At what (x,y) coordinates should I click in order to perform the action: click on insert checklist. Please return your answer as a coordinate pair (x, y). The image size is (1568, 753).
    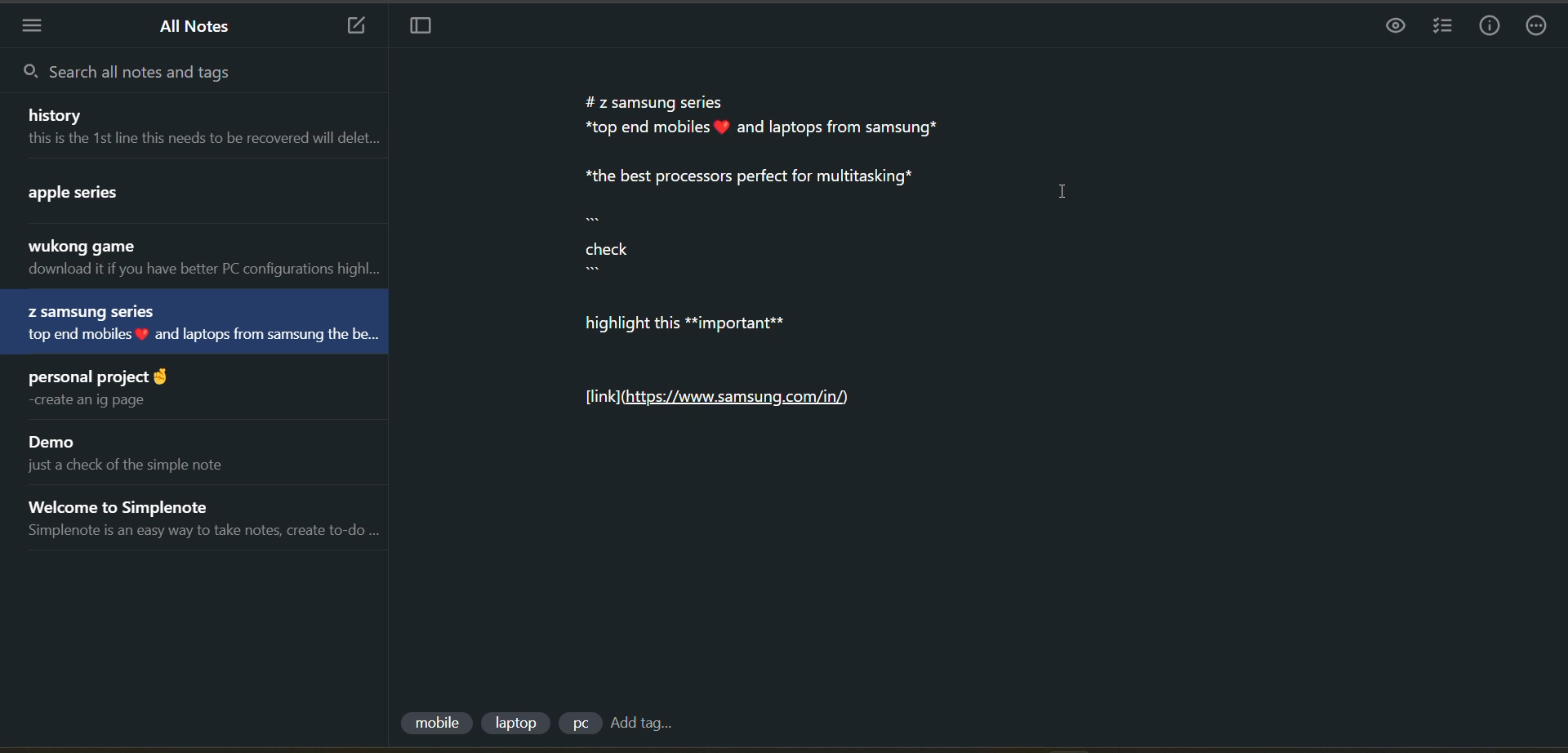
    Looking at the image, I should click on (1445, 28).